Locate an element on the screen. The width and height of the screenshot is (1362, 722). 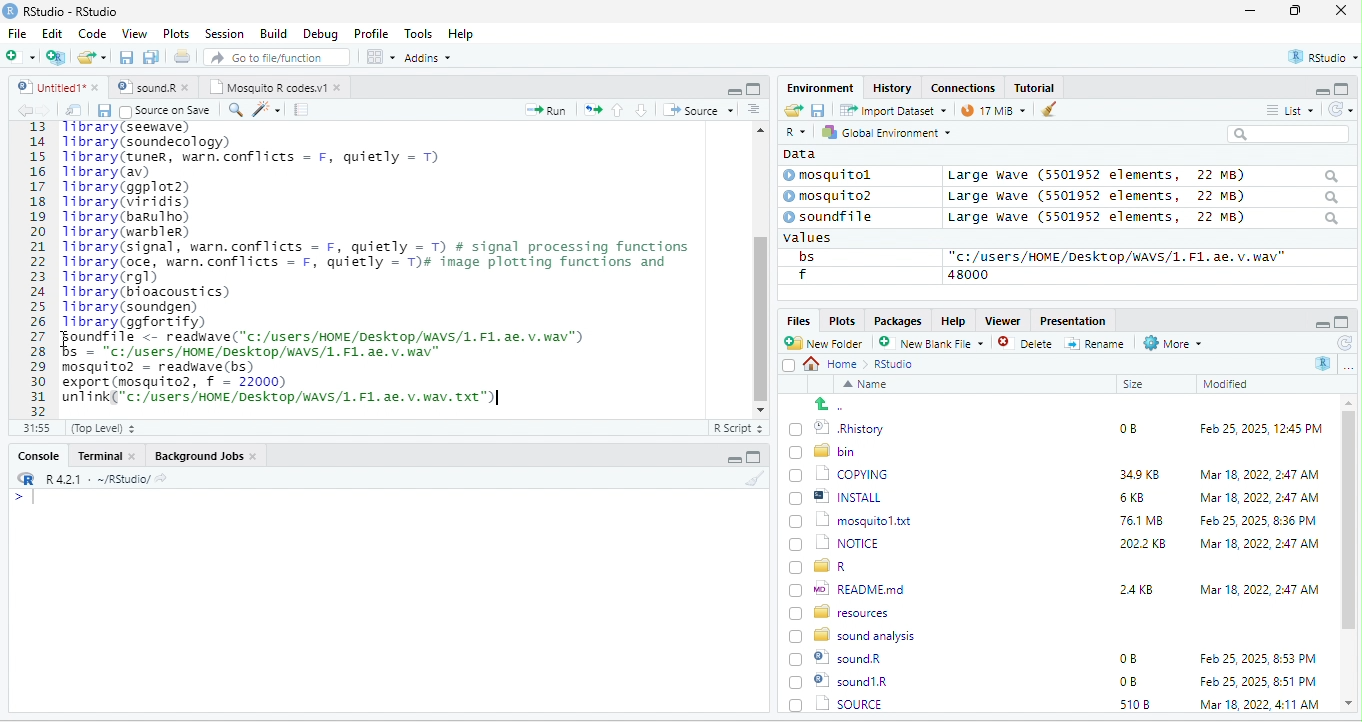
© mosquitol is located at coordinates (842, 175).